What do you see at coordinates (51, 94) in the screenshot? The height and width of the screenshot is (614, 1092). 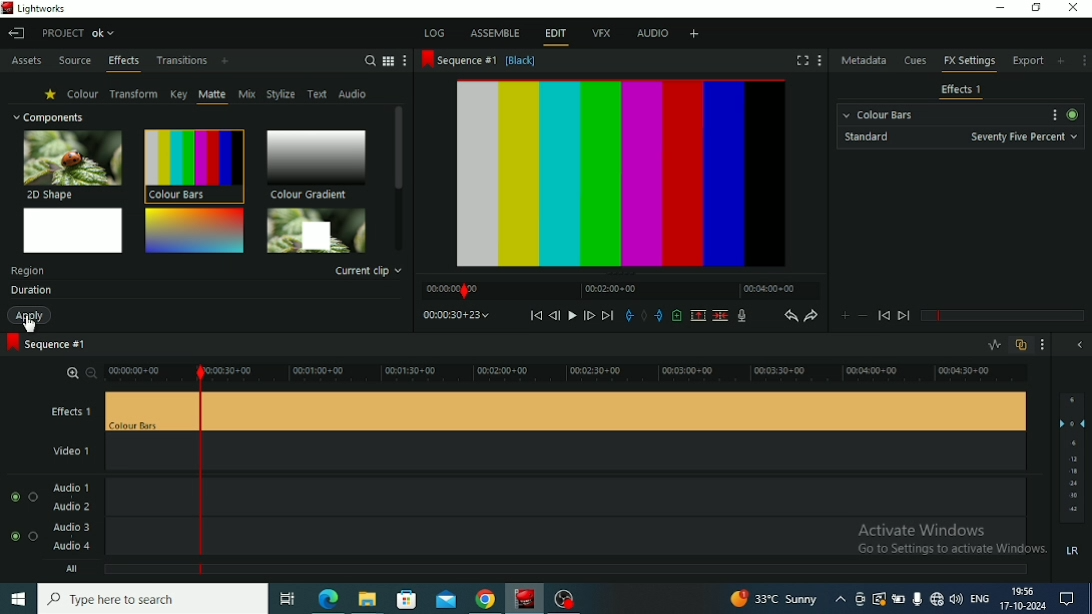 I see `Favorite` at bounding box center [51, 94].